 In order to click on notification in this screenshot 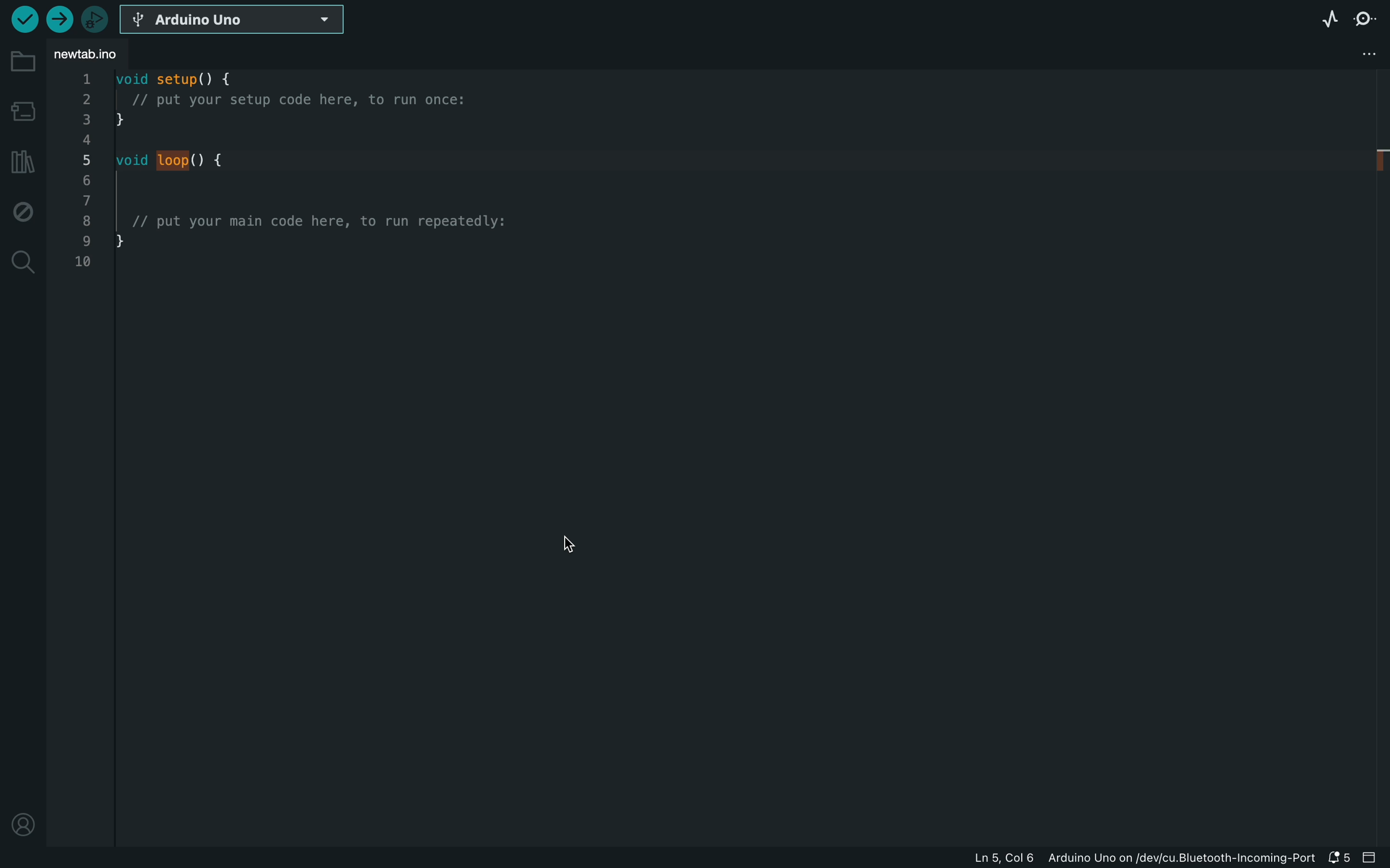, I will do `click(1340, 856)`.